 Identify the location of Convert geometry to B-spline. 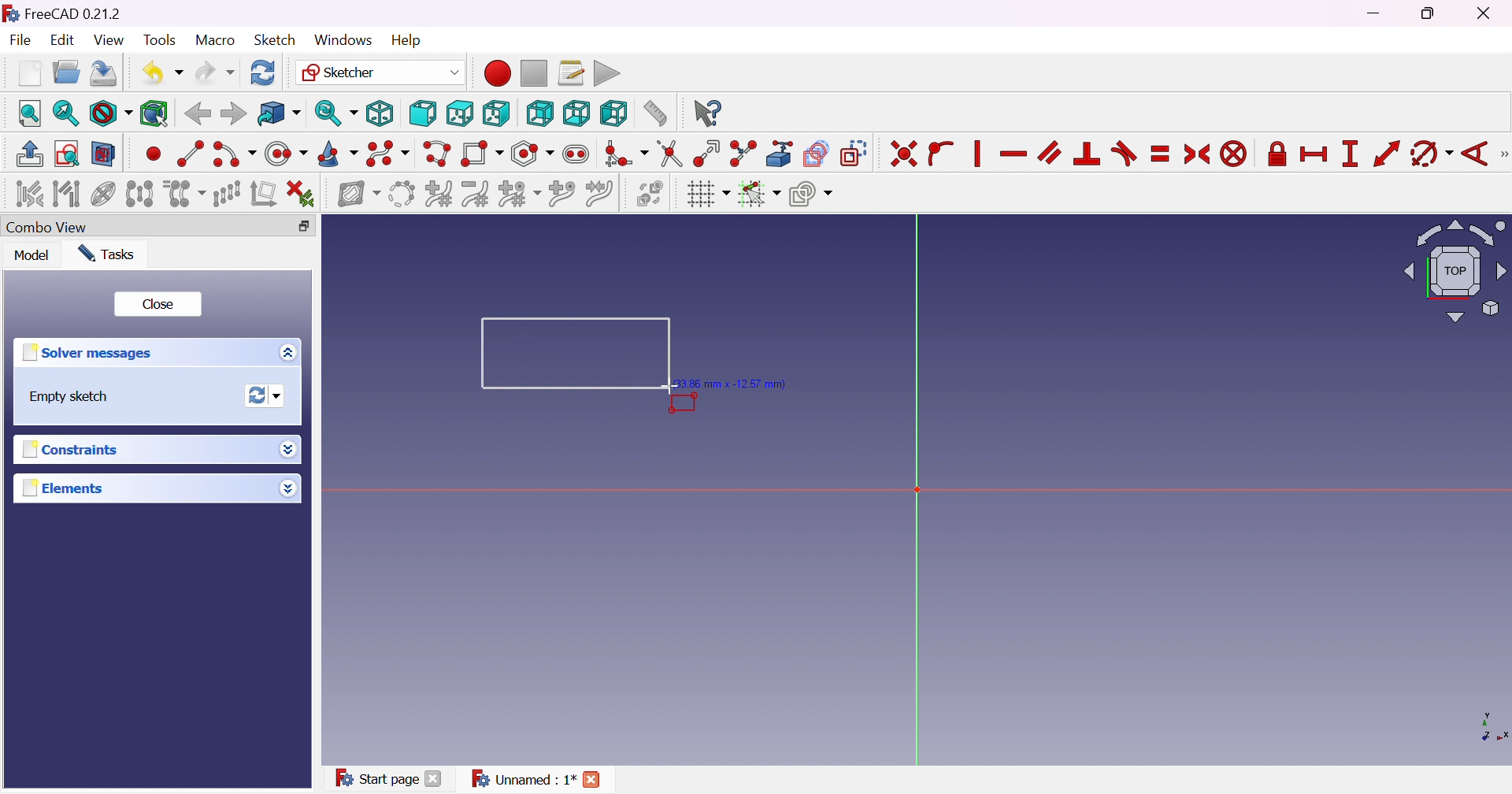
(400, 195).